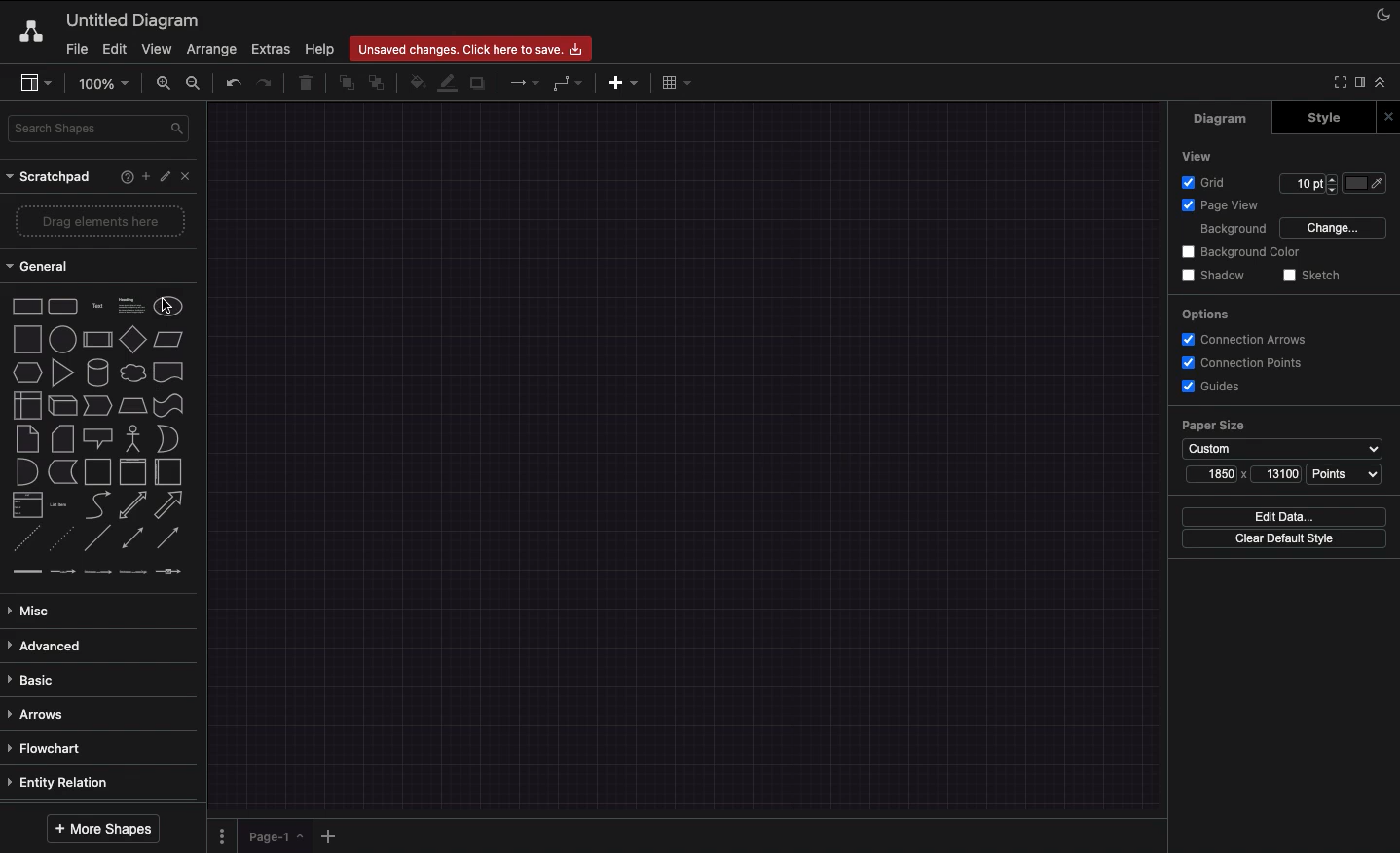 The width and height of the screenshot is (1400, 853). What do you see at coordinates (232, 82) in the screenshot?
I see `Undo` at bounding box center [232, 82].